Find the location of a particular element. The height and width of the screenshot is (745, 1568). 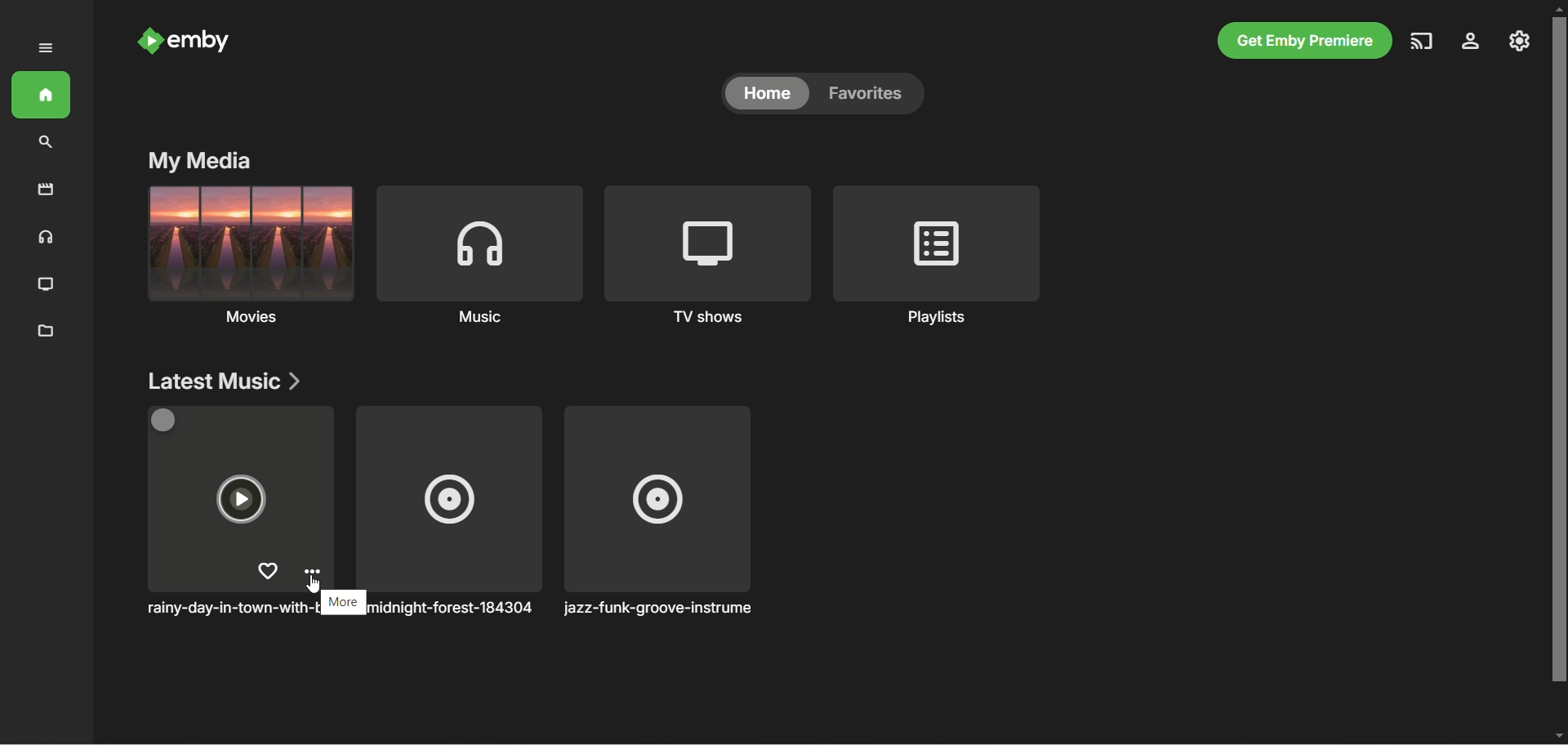

Music is located at coordinates (479, 257).